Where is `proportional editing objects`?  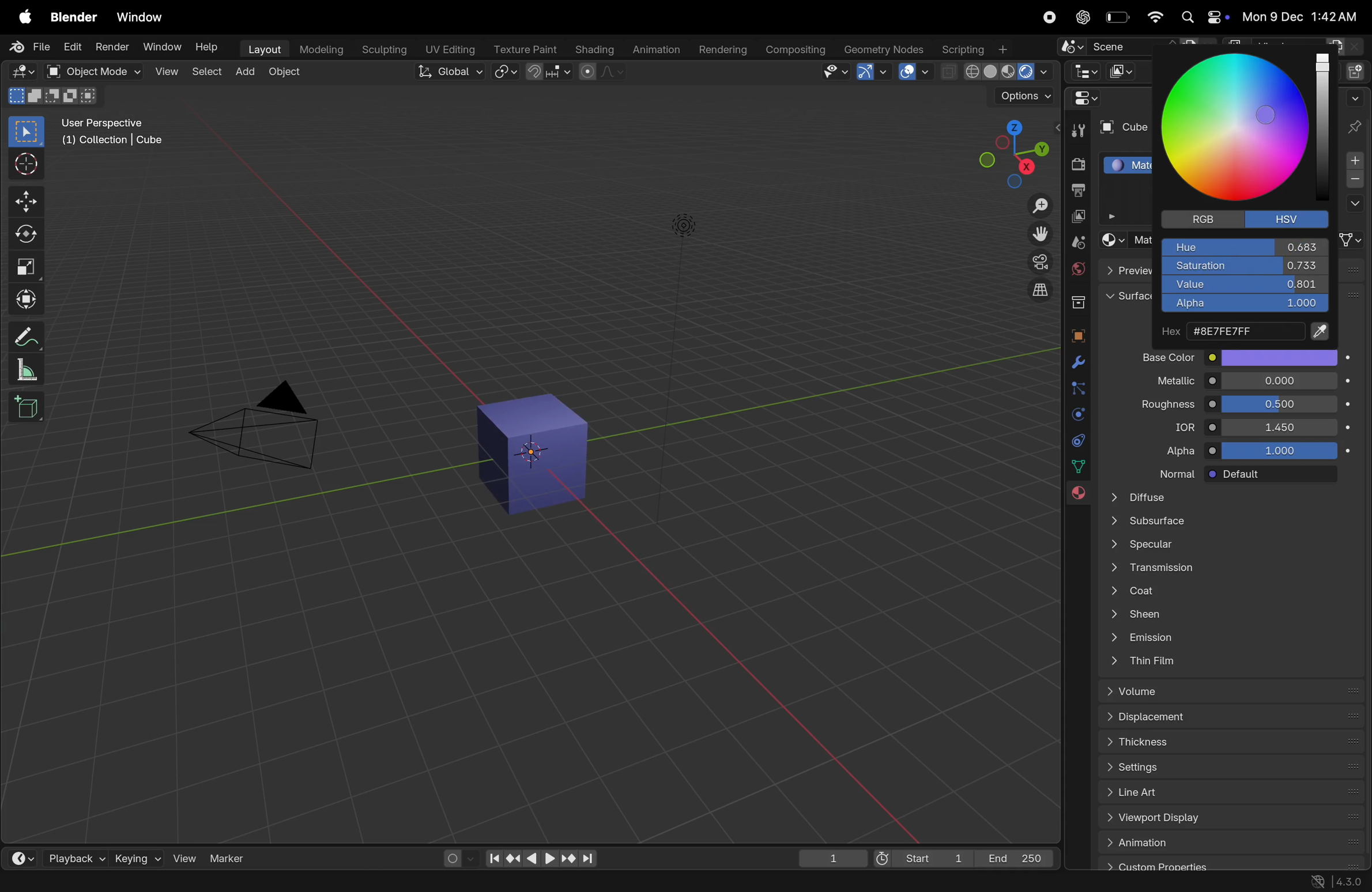
proportional editing objects is located at coordinates (601, 71).